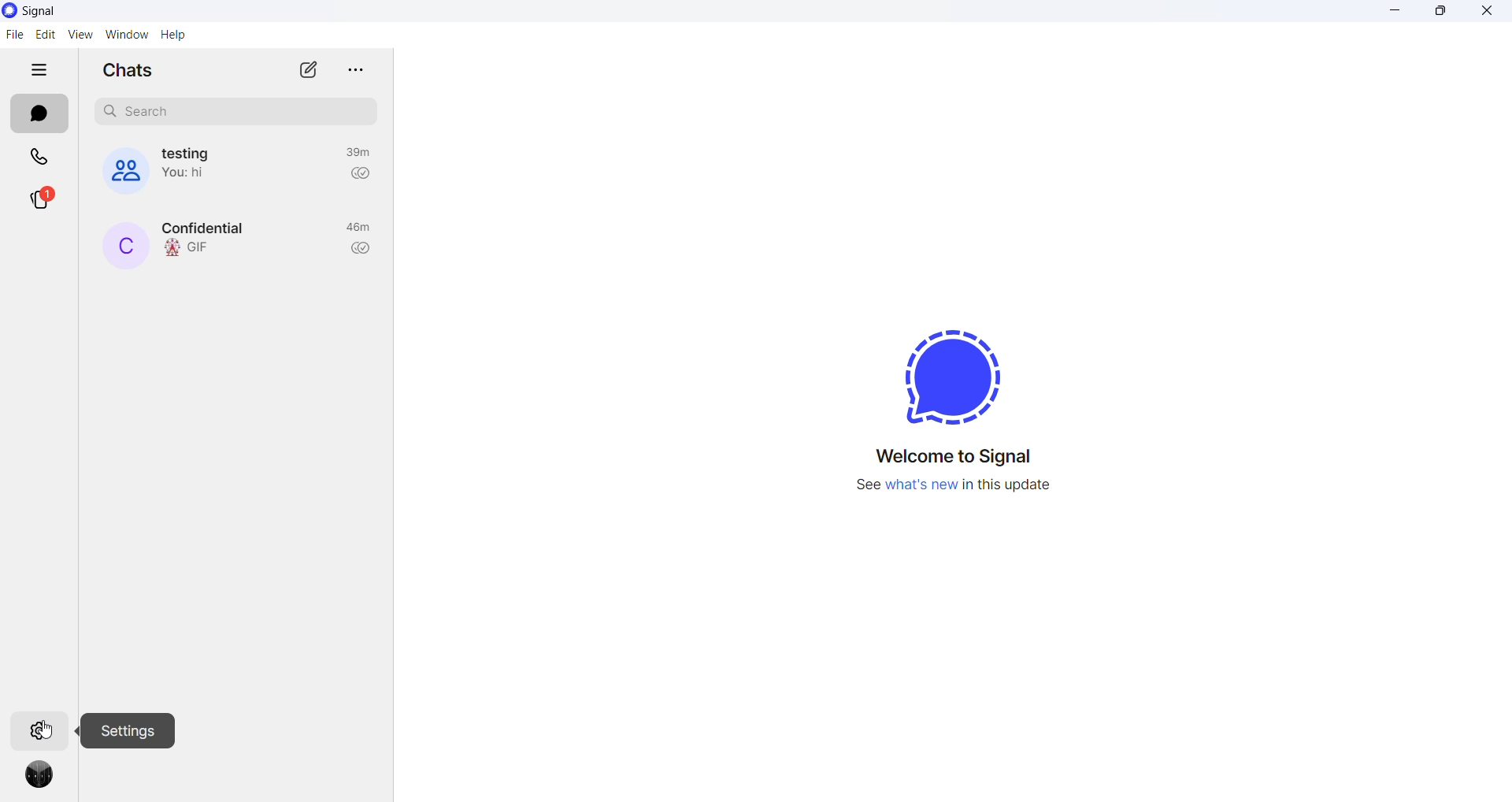 The image size is (1512, 802). I want to click on last active time, so click(358, 228).